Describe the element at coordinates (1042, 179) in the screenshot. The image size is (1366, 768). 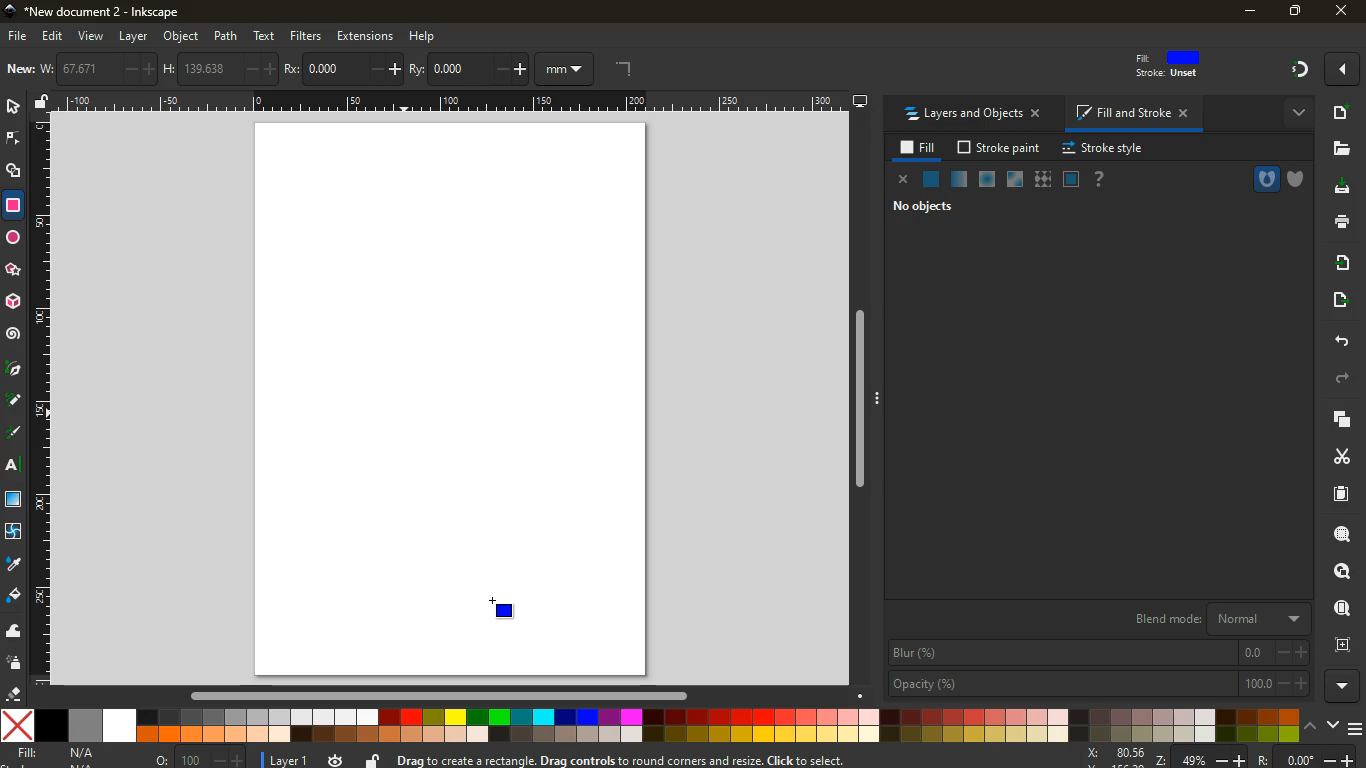
I see `texture` at that location.